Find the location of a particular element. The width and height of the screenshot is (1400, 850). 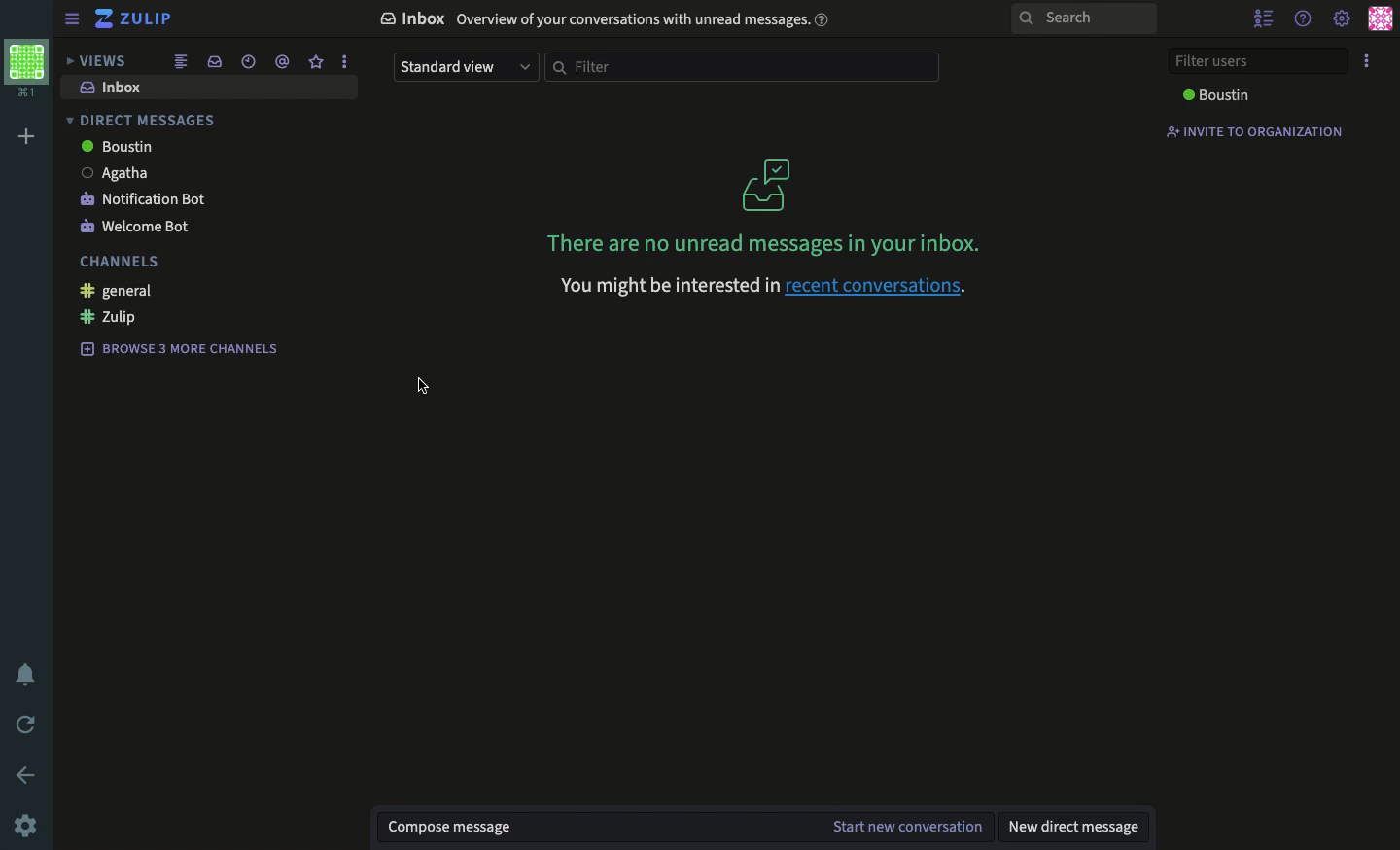

inbox is located at coordinates (216, 61).